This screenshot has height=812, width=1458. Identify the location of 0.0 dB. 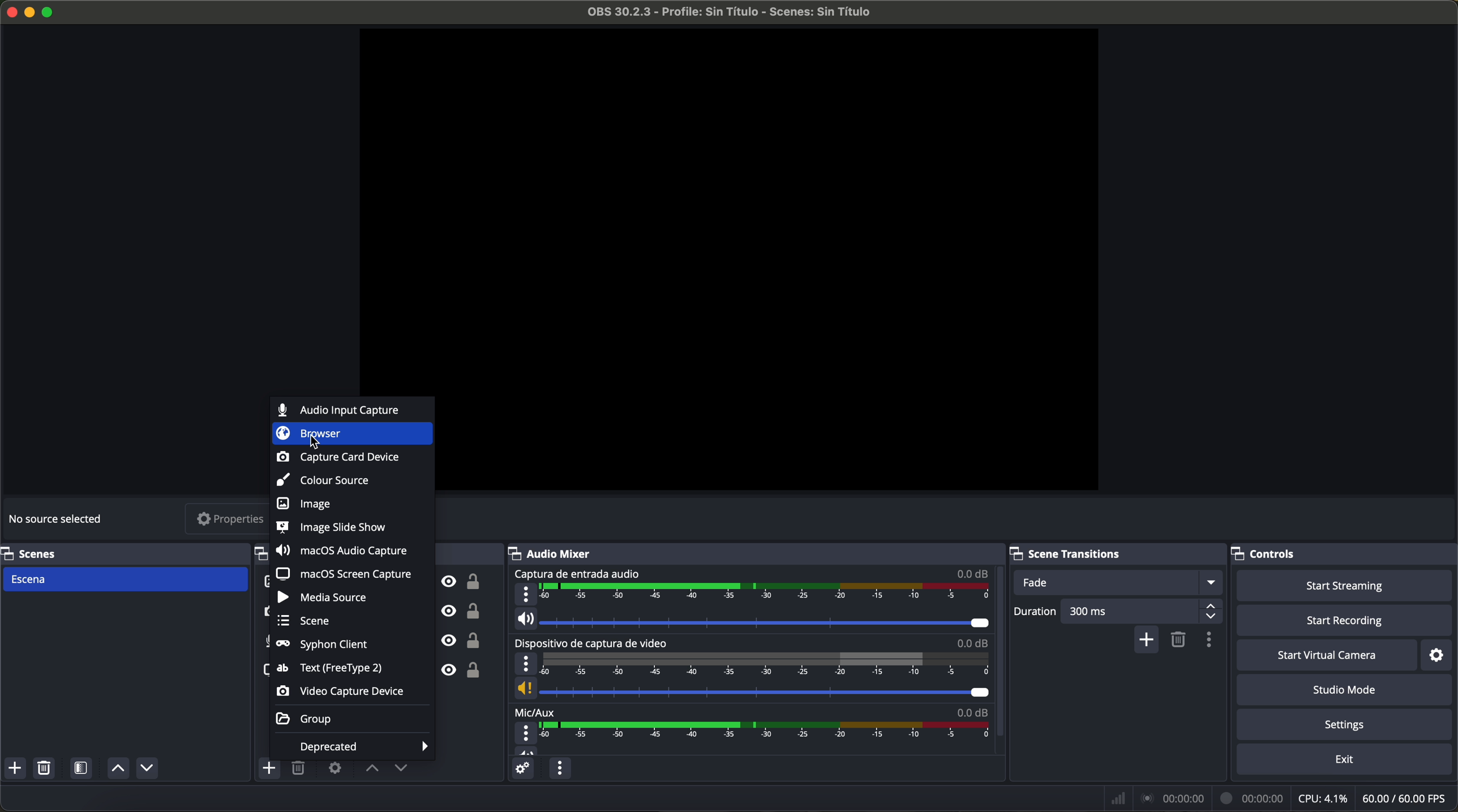
(967, 643).